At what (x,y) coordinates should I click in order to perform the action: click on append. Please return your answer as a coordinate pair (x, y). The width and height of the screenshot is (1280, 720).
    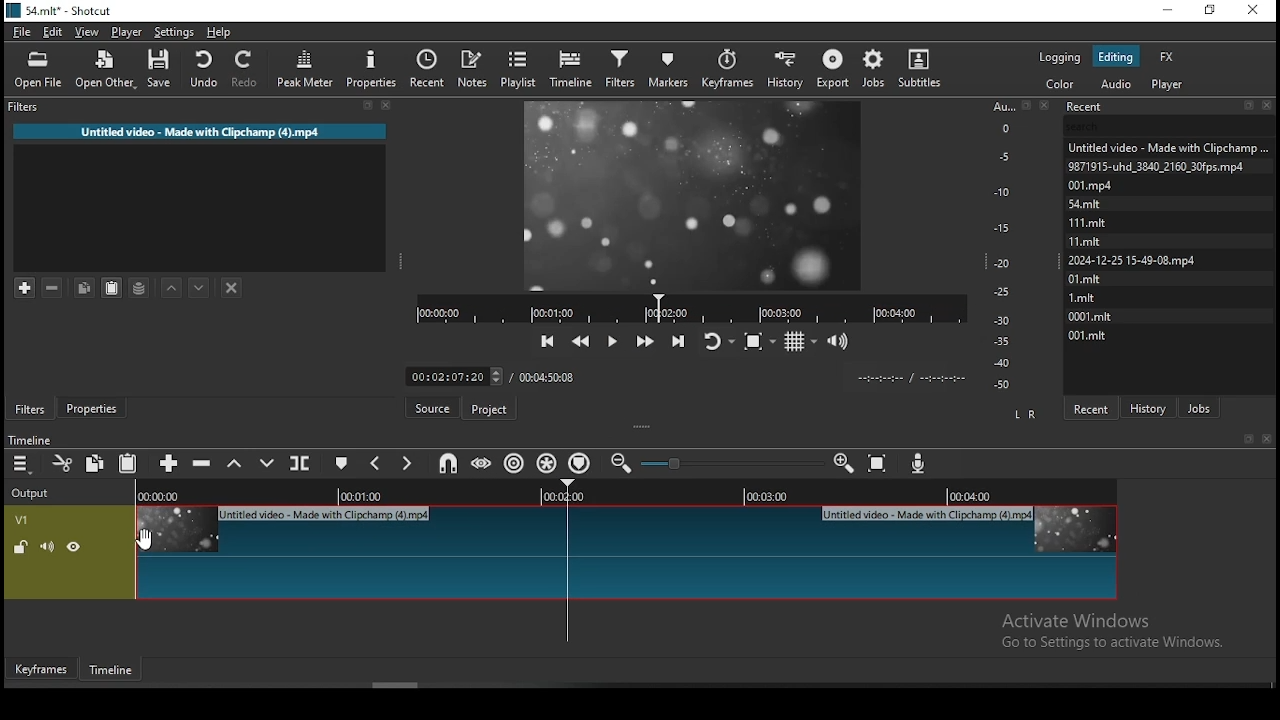
    Looking at the image, I should click on (169, 462).